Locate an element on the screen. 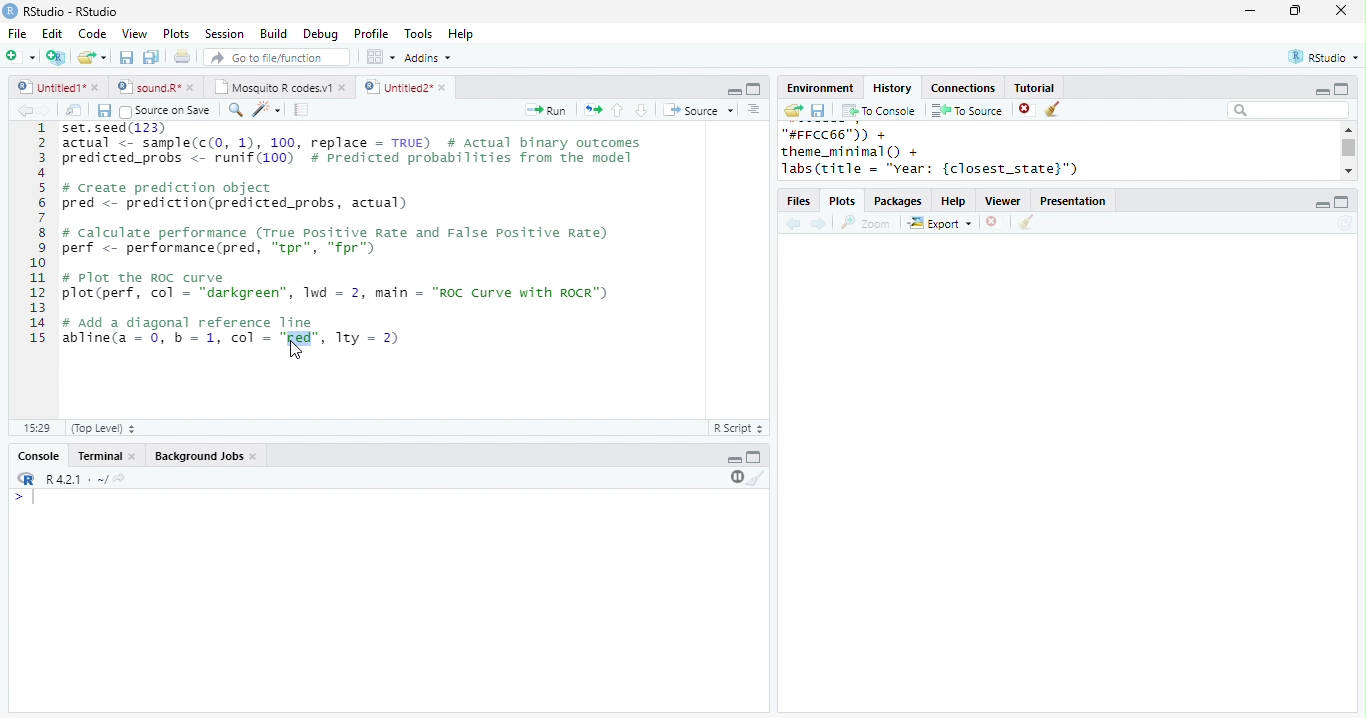 The width and height of the screenshot is (1366, 718). Debug is located at coordinates (323, 35).